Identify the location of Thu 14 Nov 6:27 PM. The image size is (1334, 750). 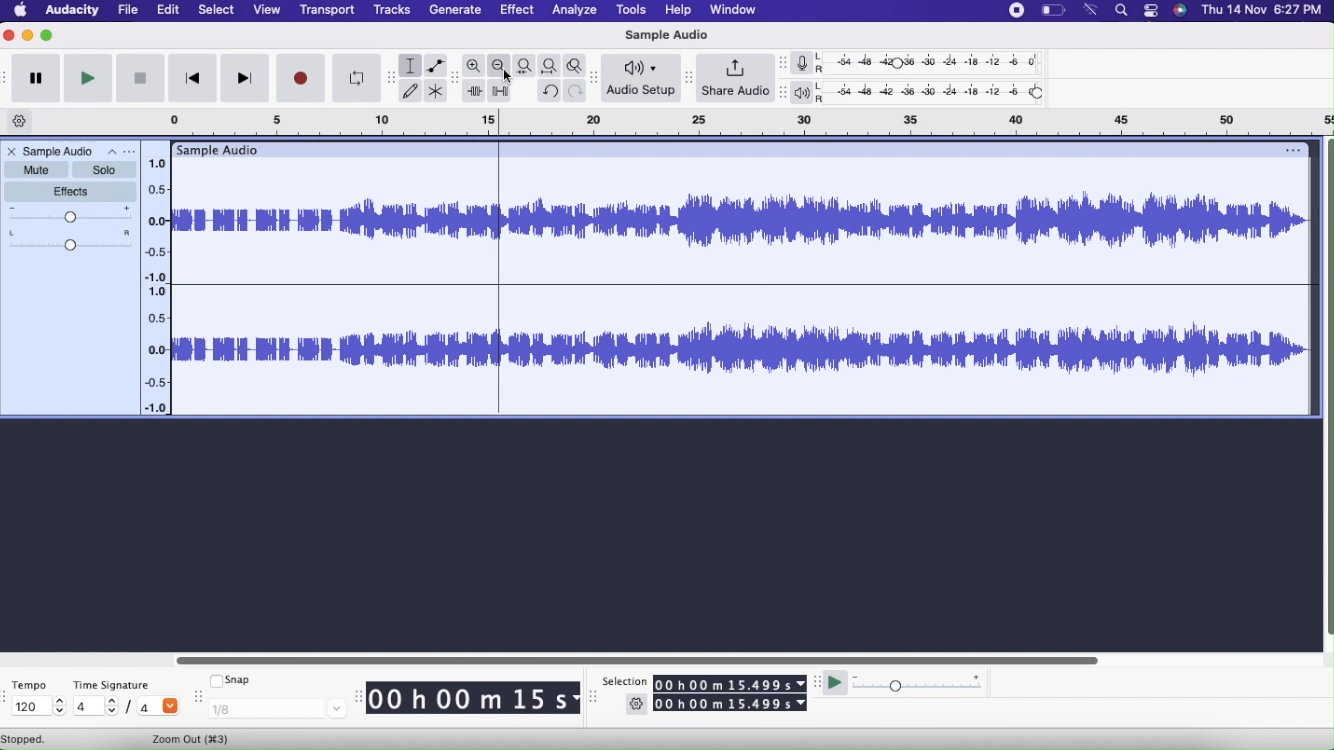
(1264, 12).